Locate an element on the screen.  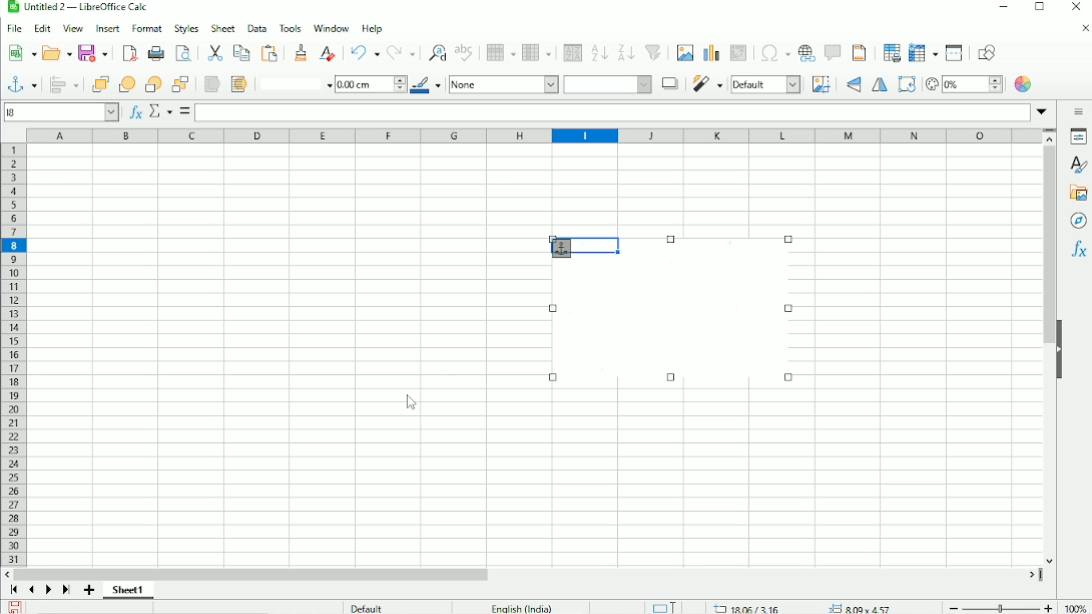
Expand formula bar is located at coordinates (1042, 111).